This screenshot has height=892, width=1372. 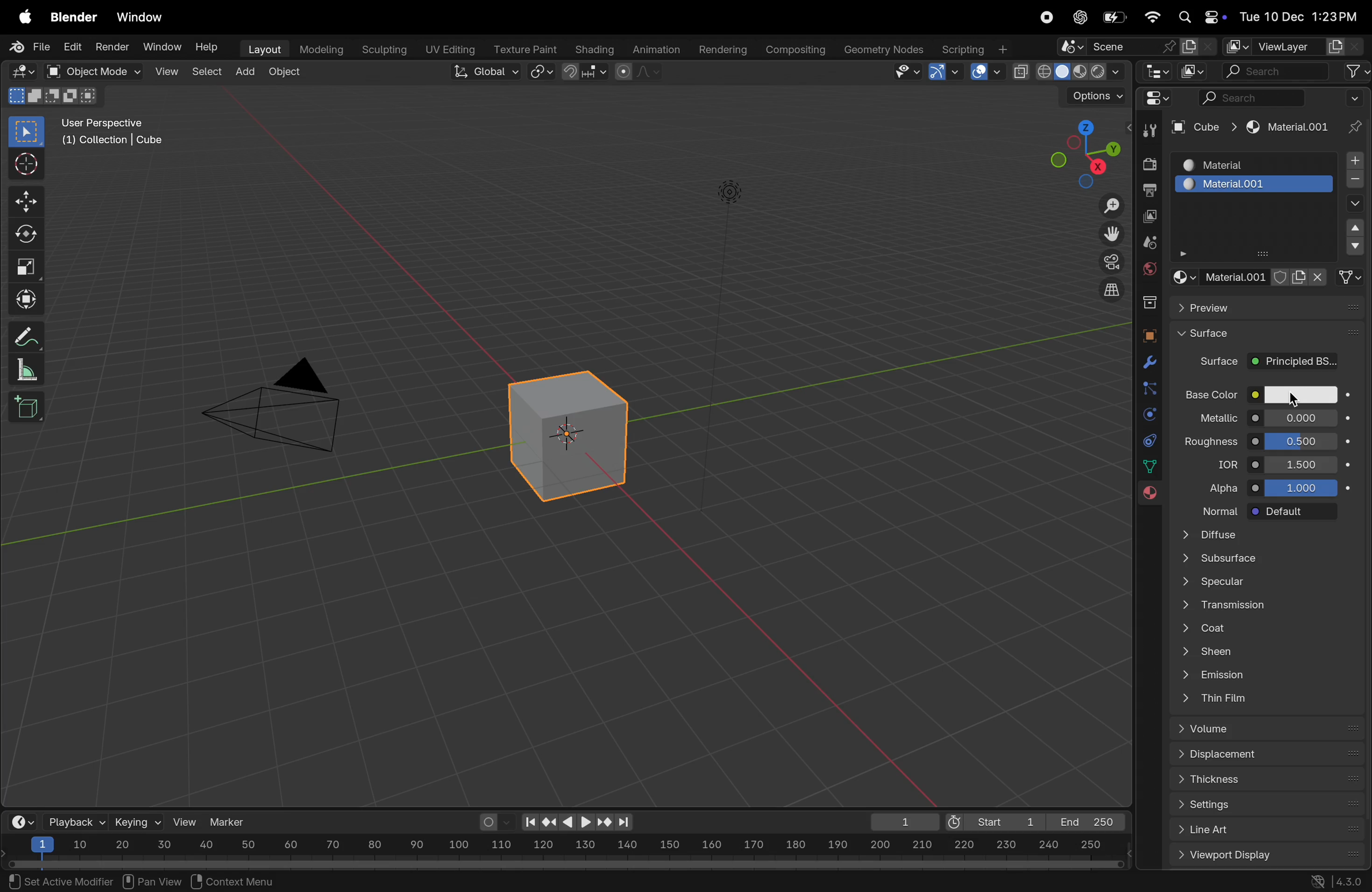 What do you see at coordinates (1222, 464) in the screenshot?
I see `idr` at bounding box center [1222, 464].